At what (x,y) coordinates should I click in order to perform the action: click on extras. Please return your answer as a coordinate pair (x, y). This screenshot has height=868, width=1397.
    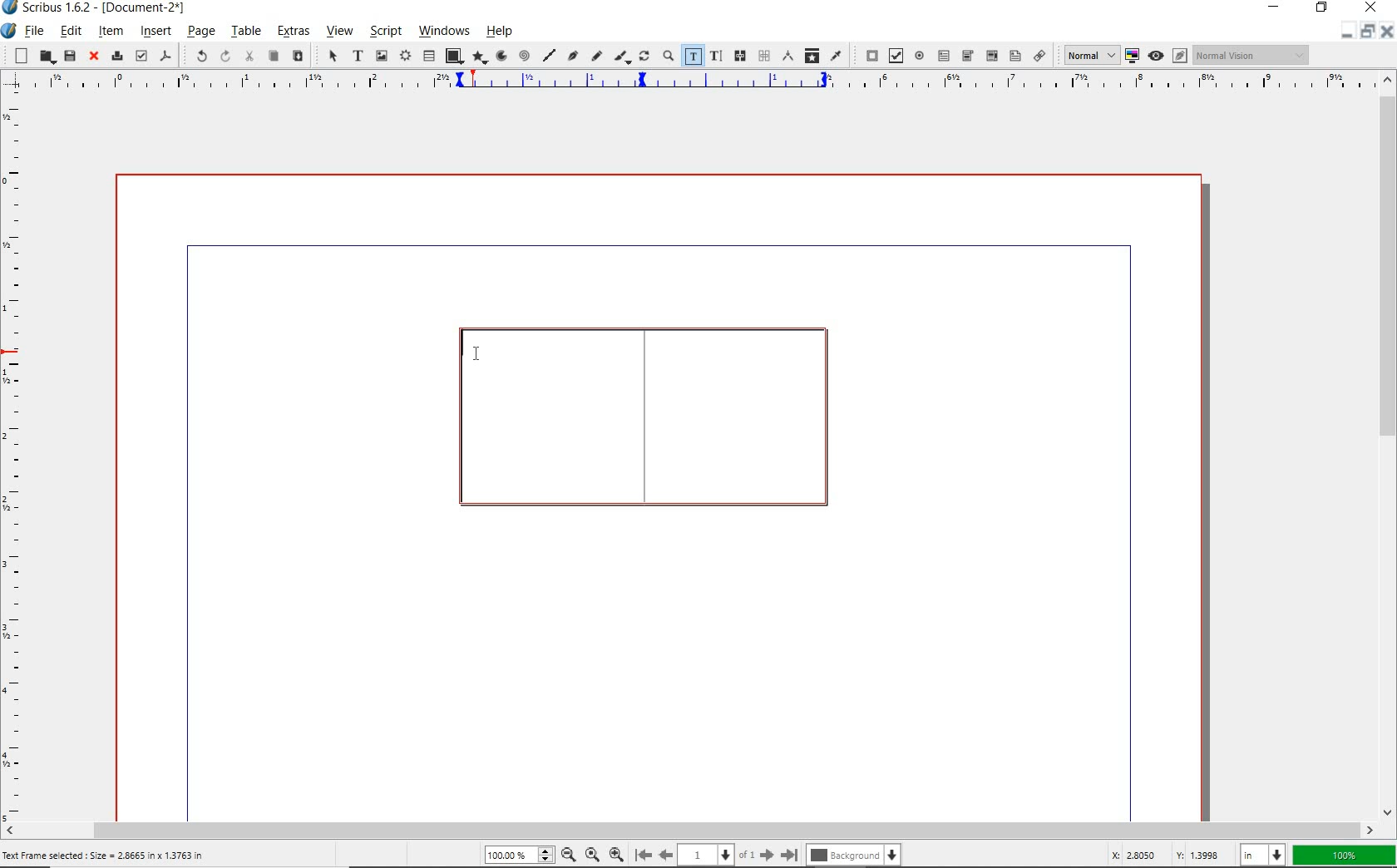
    Looking at the image, I should click on (294, 32).